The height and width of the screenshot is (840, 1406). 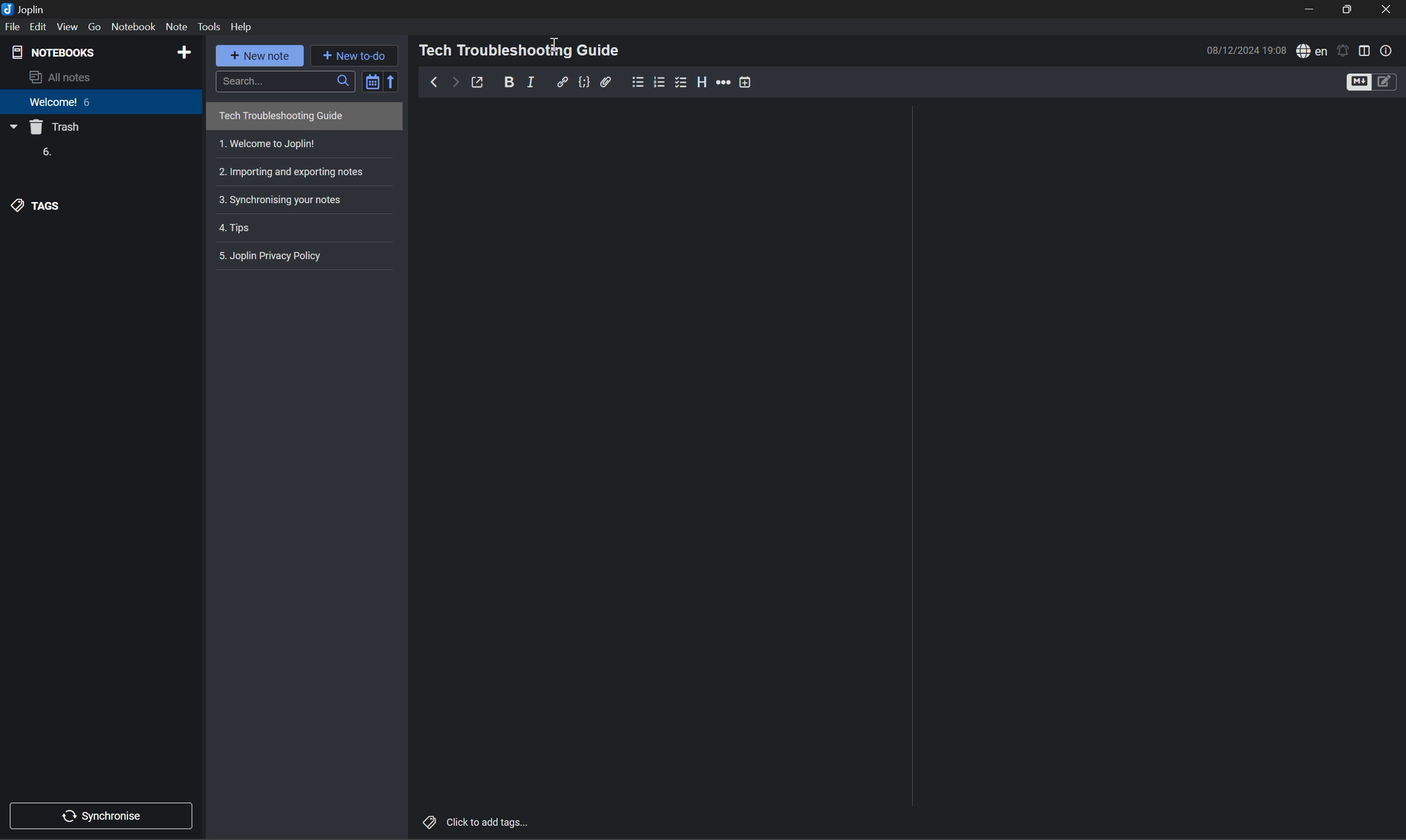 I want to click on Set alarm, so click(x=1342, y=50).